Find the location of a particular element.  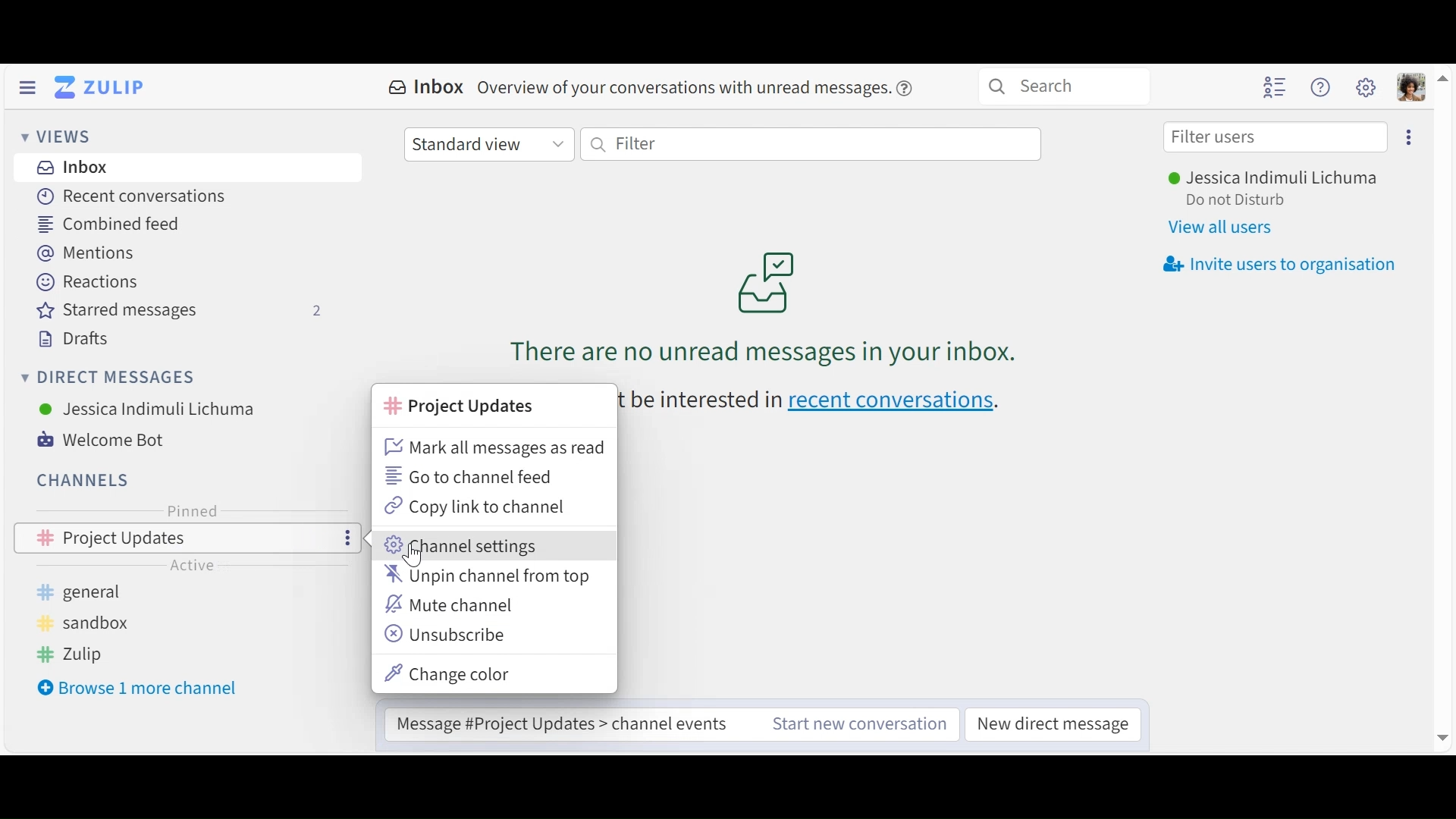

Mentions is located at coordinates (90, 253).